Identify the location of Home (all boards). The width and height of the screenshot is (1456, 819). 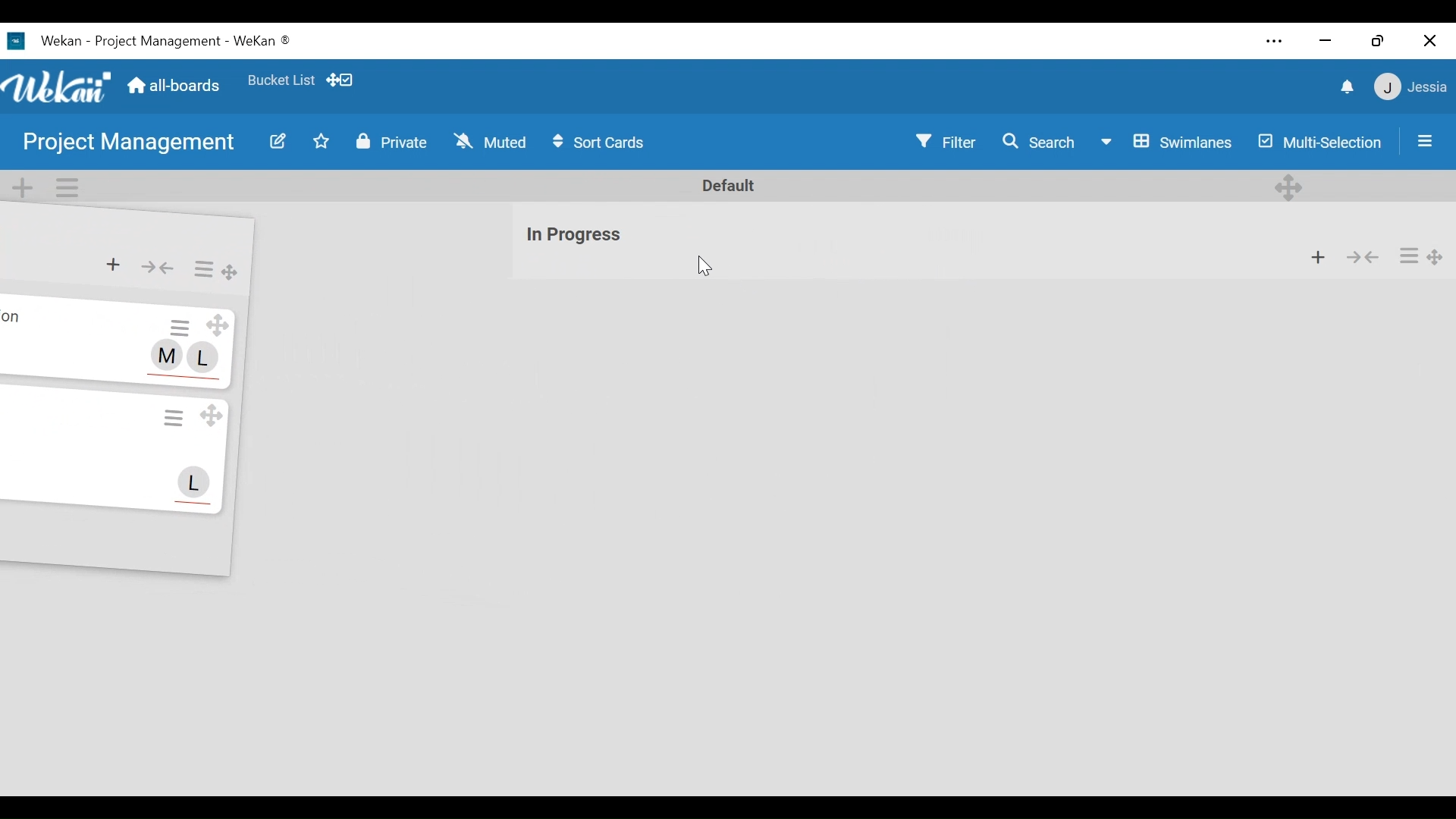
(176, 86).